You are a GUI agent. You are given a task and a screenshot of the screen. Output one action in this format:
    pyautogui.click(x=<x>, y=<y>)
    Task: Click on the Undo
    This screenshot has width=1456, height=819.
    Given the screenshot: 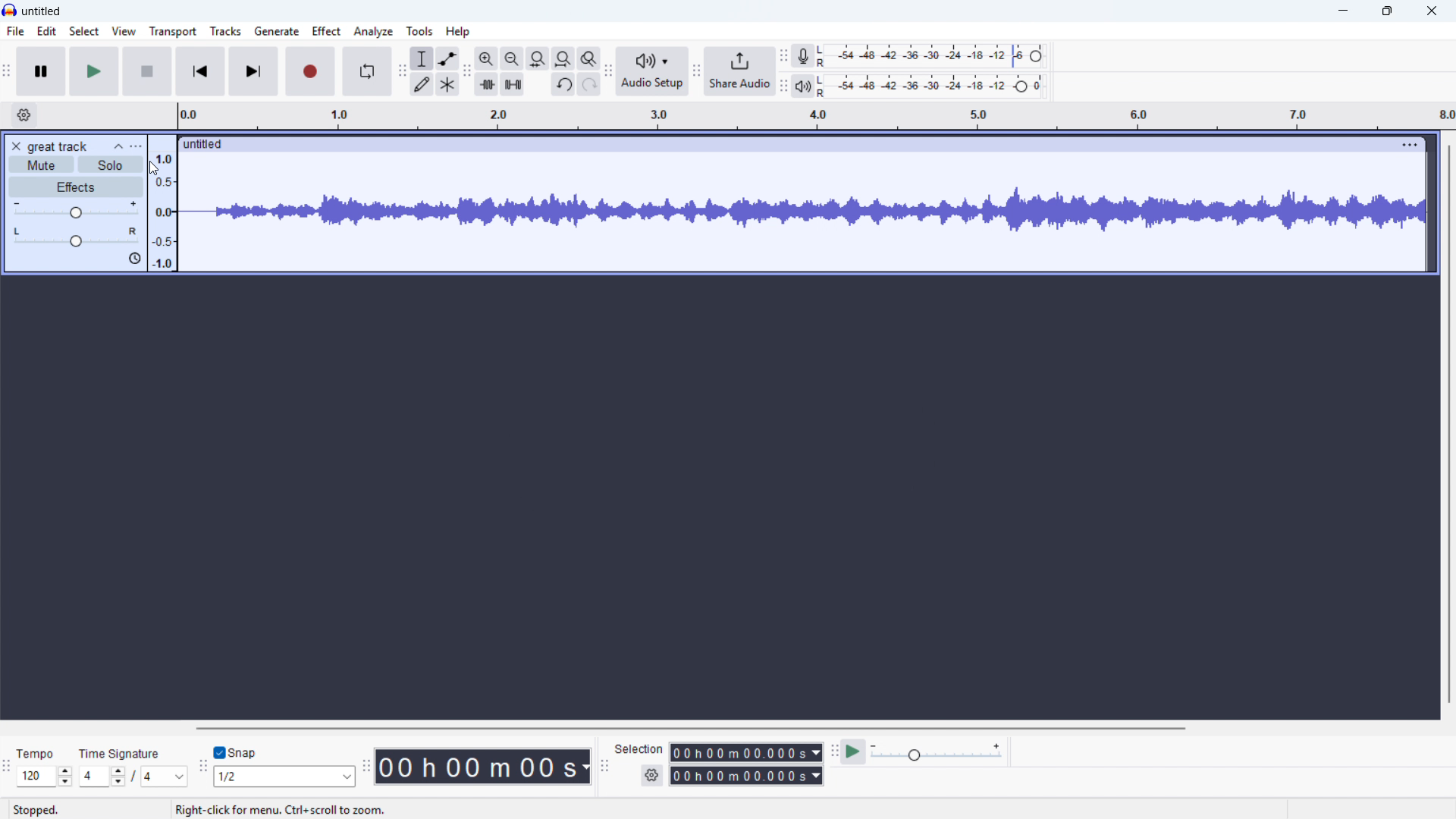 What is the action you would take?
    pyautogui.click(x=563, y=85)
    